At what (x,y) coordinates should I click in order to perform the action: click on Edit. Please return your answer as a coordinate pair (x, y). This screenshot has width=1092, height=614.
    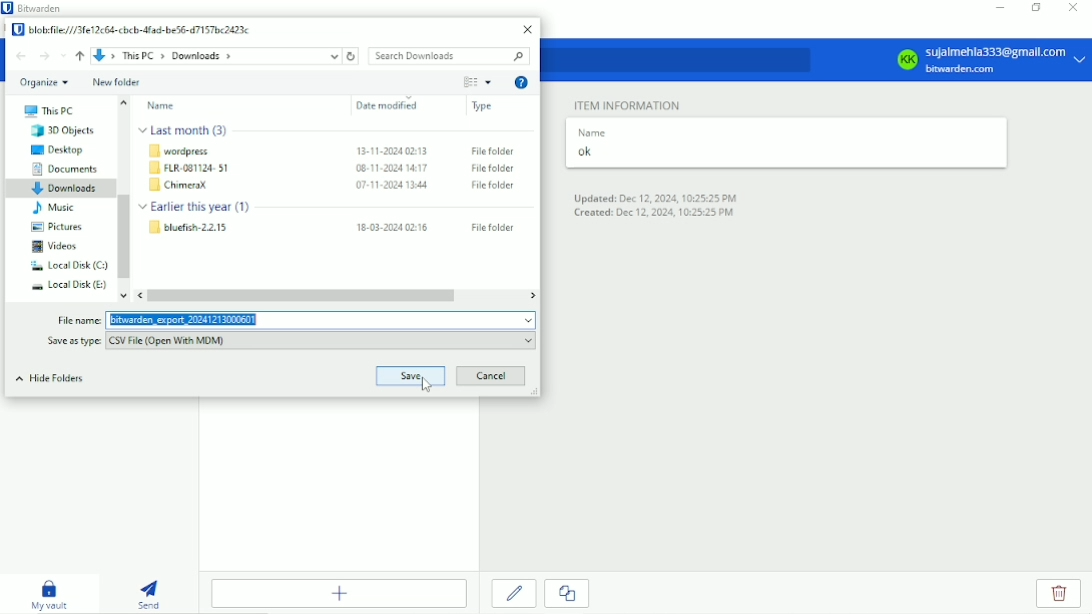
    Looking at the image, I should click on (515, 593).